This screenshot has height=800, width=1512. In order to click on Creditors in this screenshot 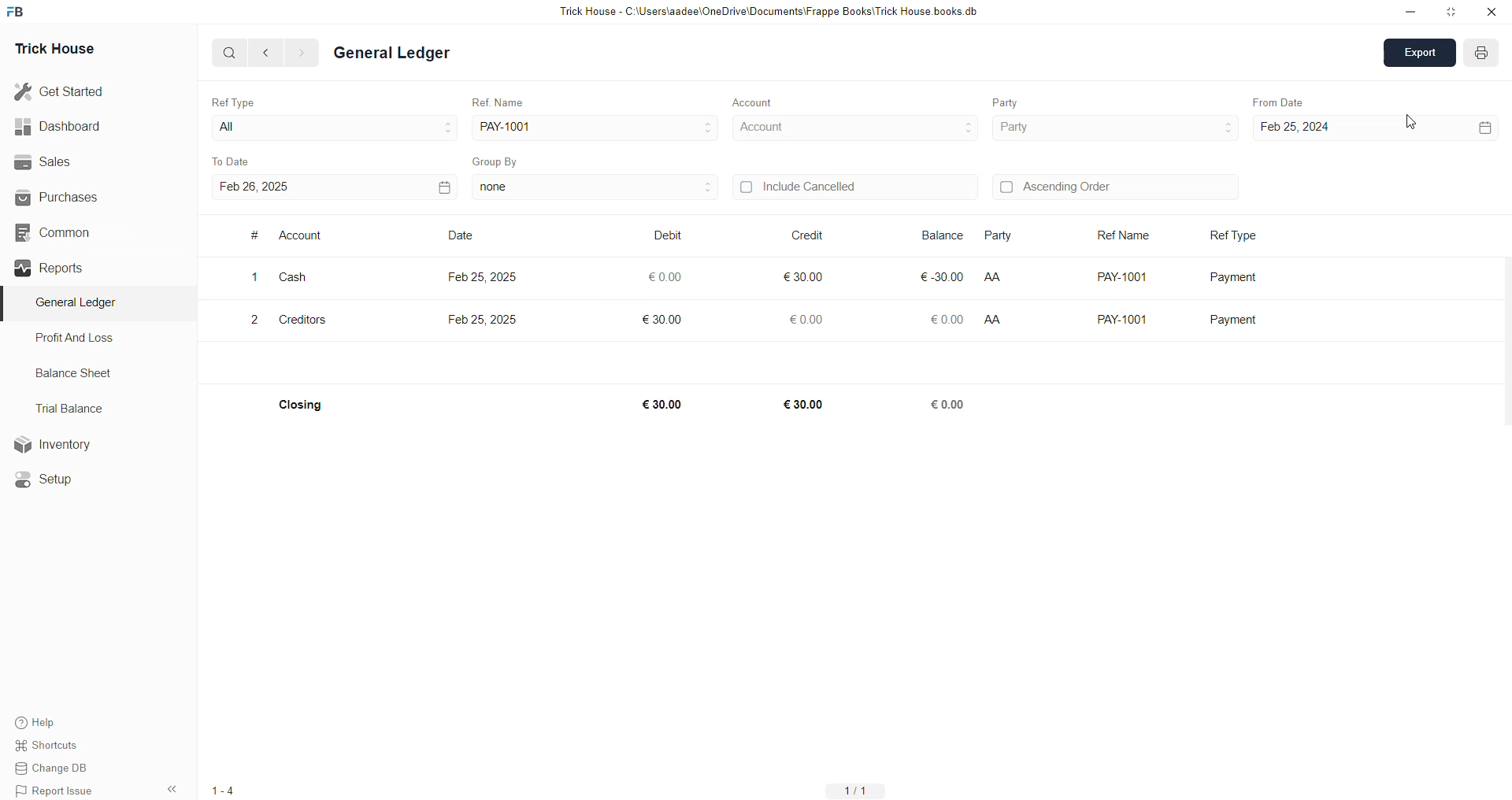, I will do `click(313, 320)`.